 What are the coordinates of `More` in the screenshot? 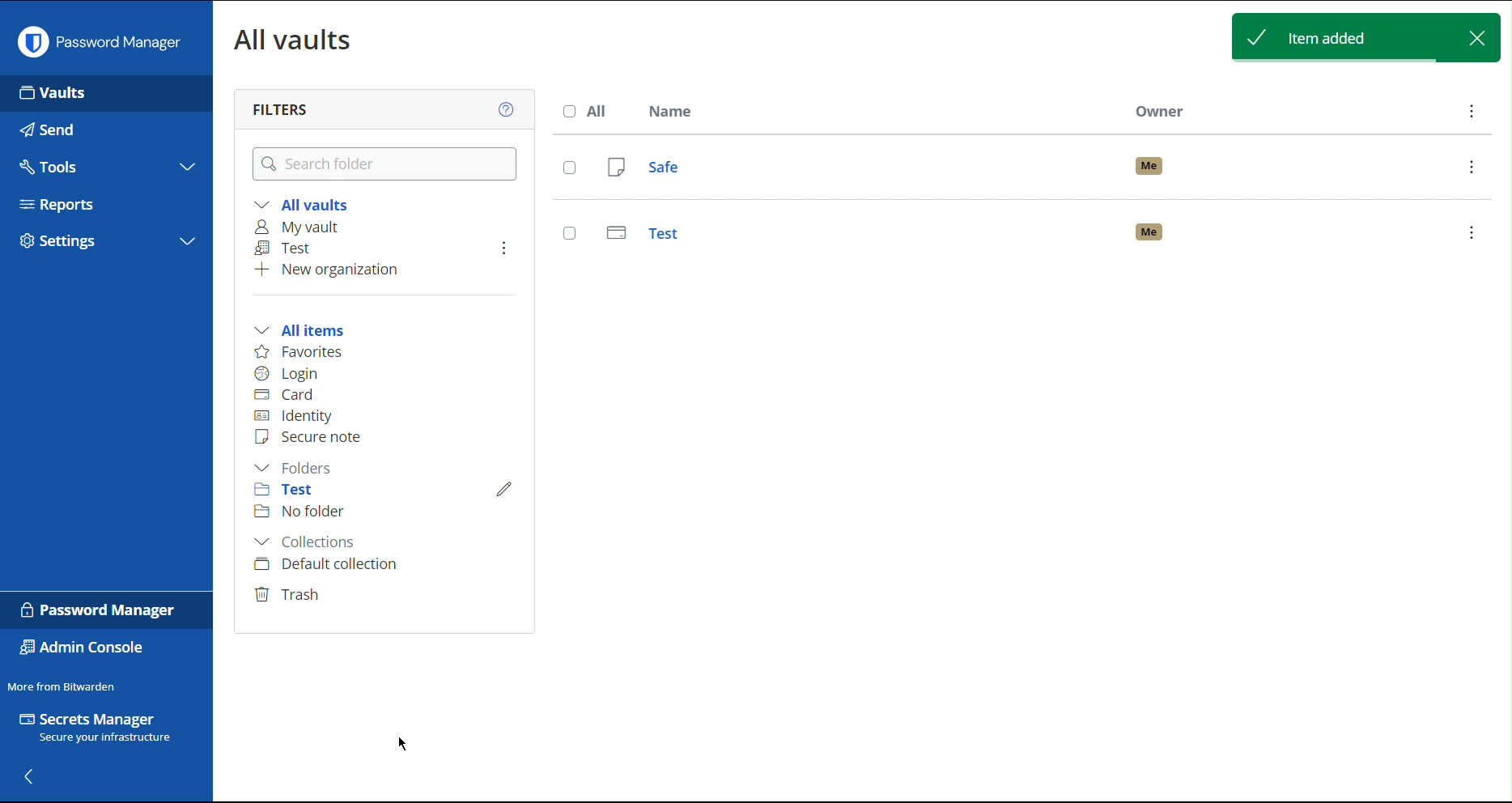 It's located at (1469, 111).